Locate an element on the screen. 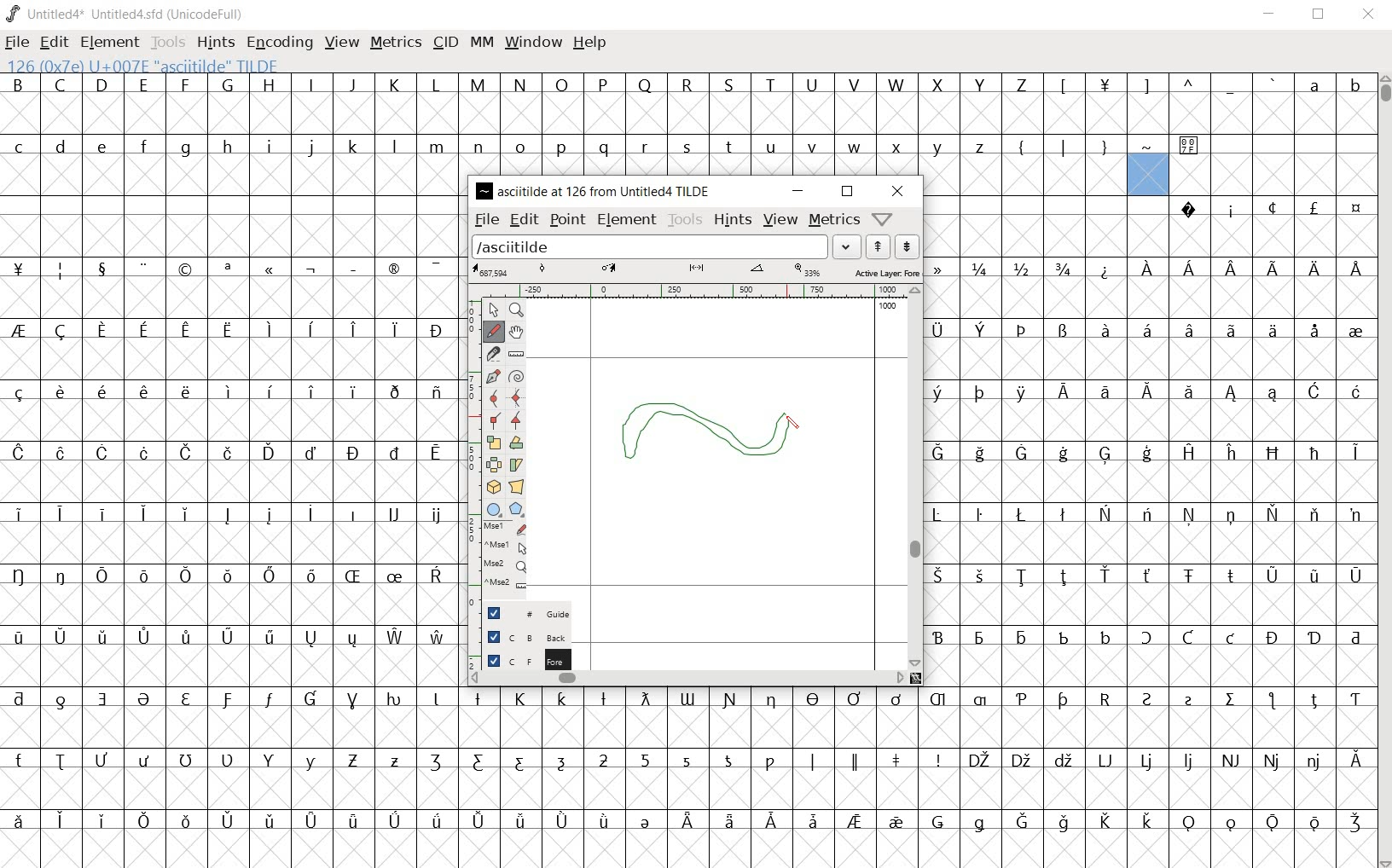  element is located at coordinates (628, 219).